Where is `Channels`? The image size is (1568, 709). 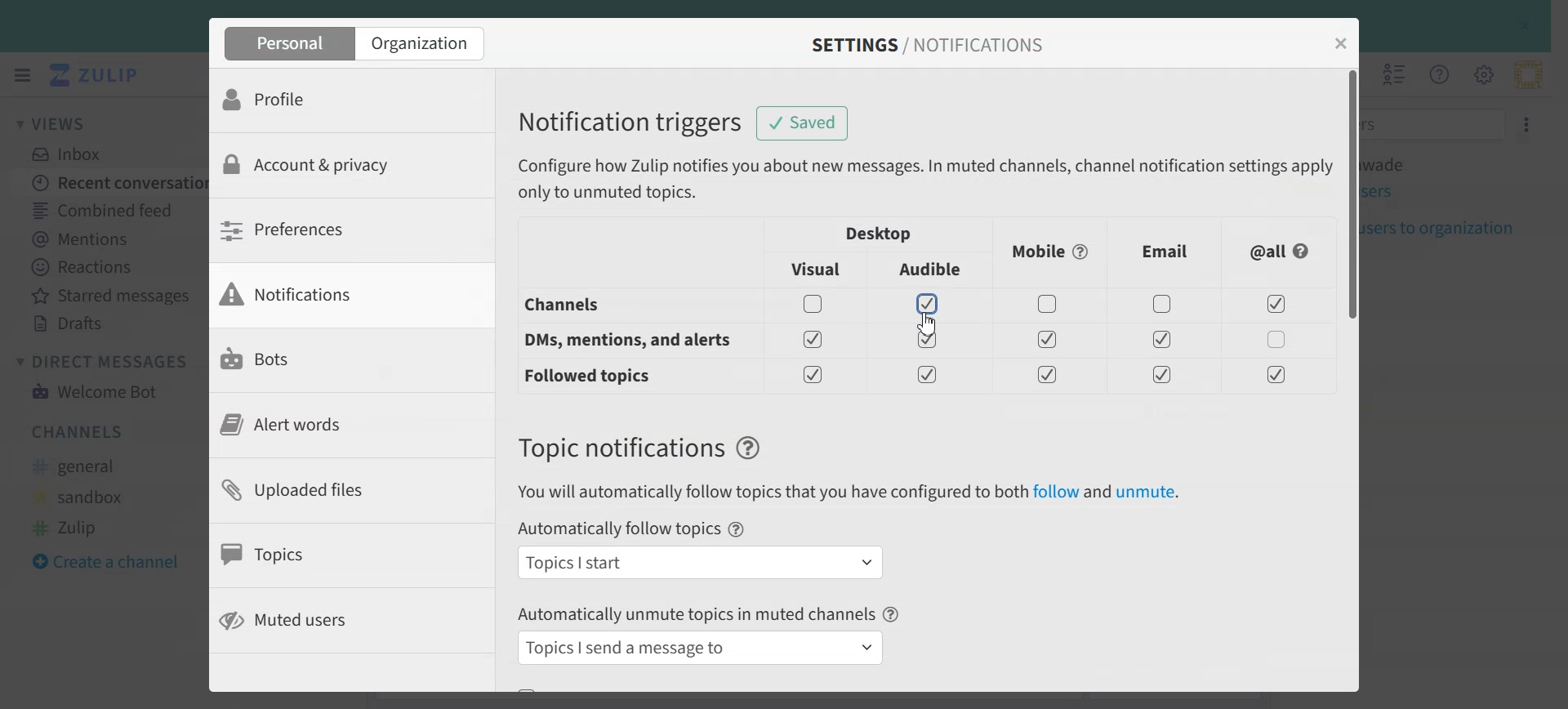
Channels is located at coordinates (608, 305).